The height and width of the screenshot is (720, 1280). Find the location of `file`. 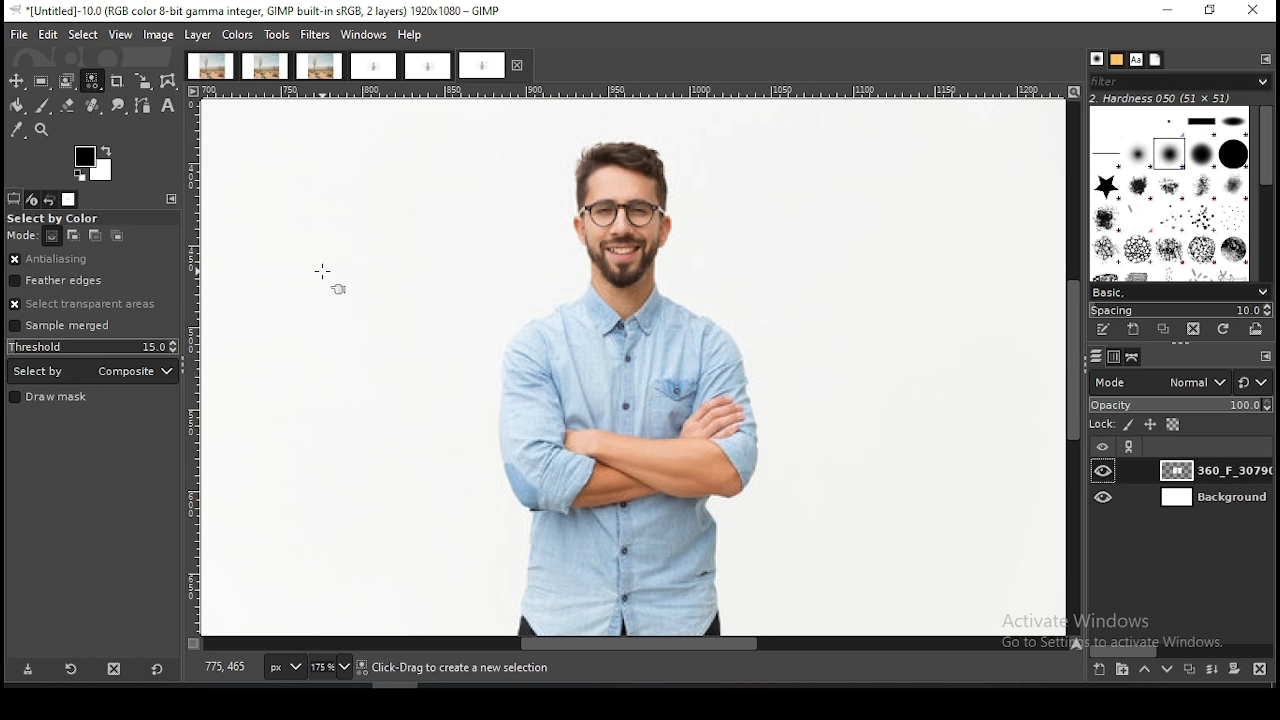

file is located at coordinates (20, 35).